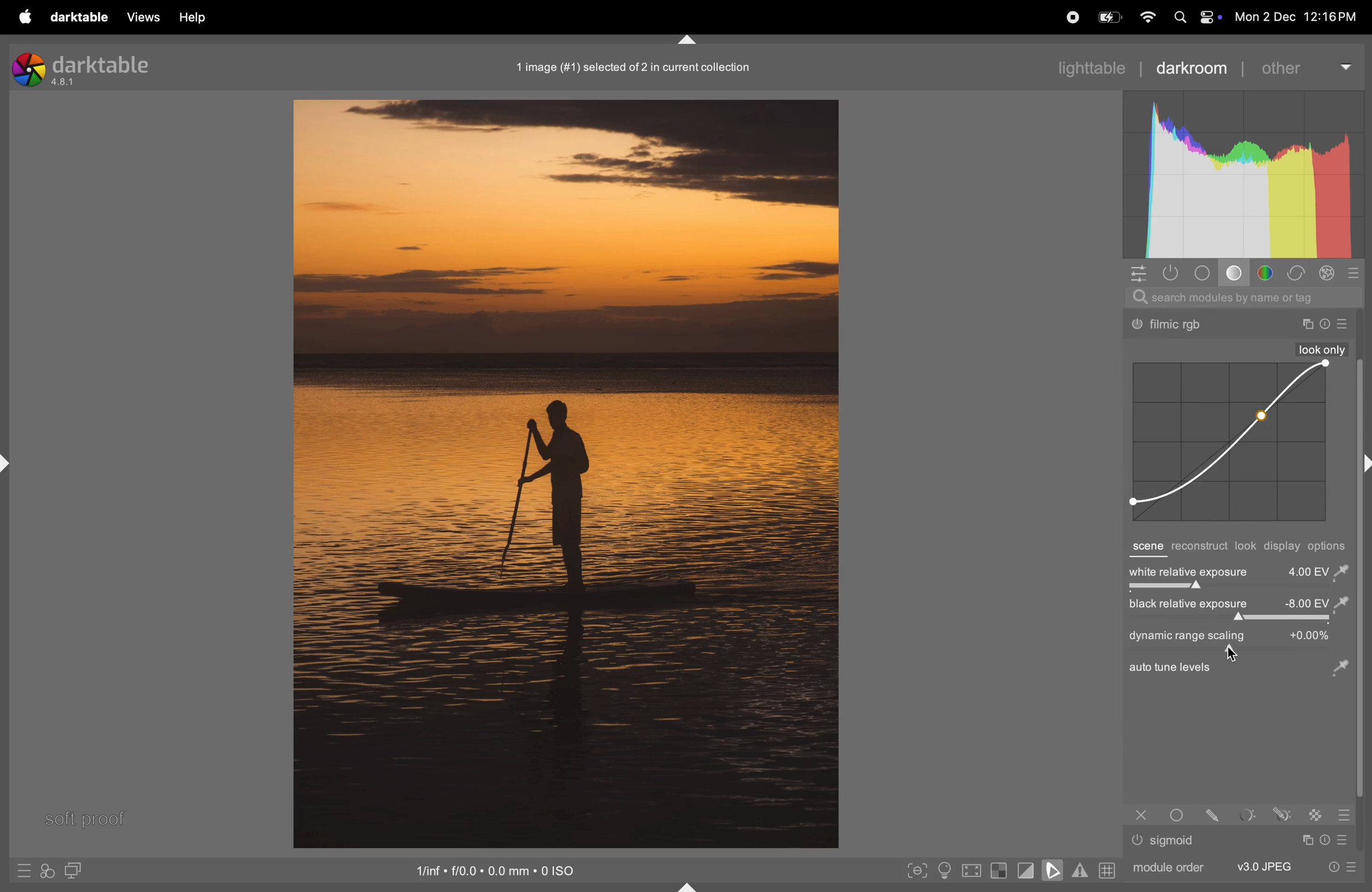  What do you see at coordinates (1090, 66) in the screenshot?
I see `lighttable` at bounding box center [1090, 66].